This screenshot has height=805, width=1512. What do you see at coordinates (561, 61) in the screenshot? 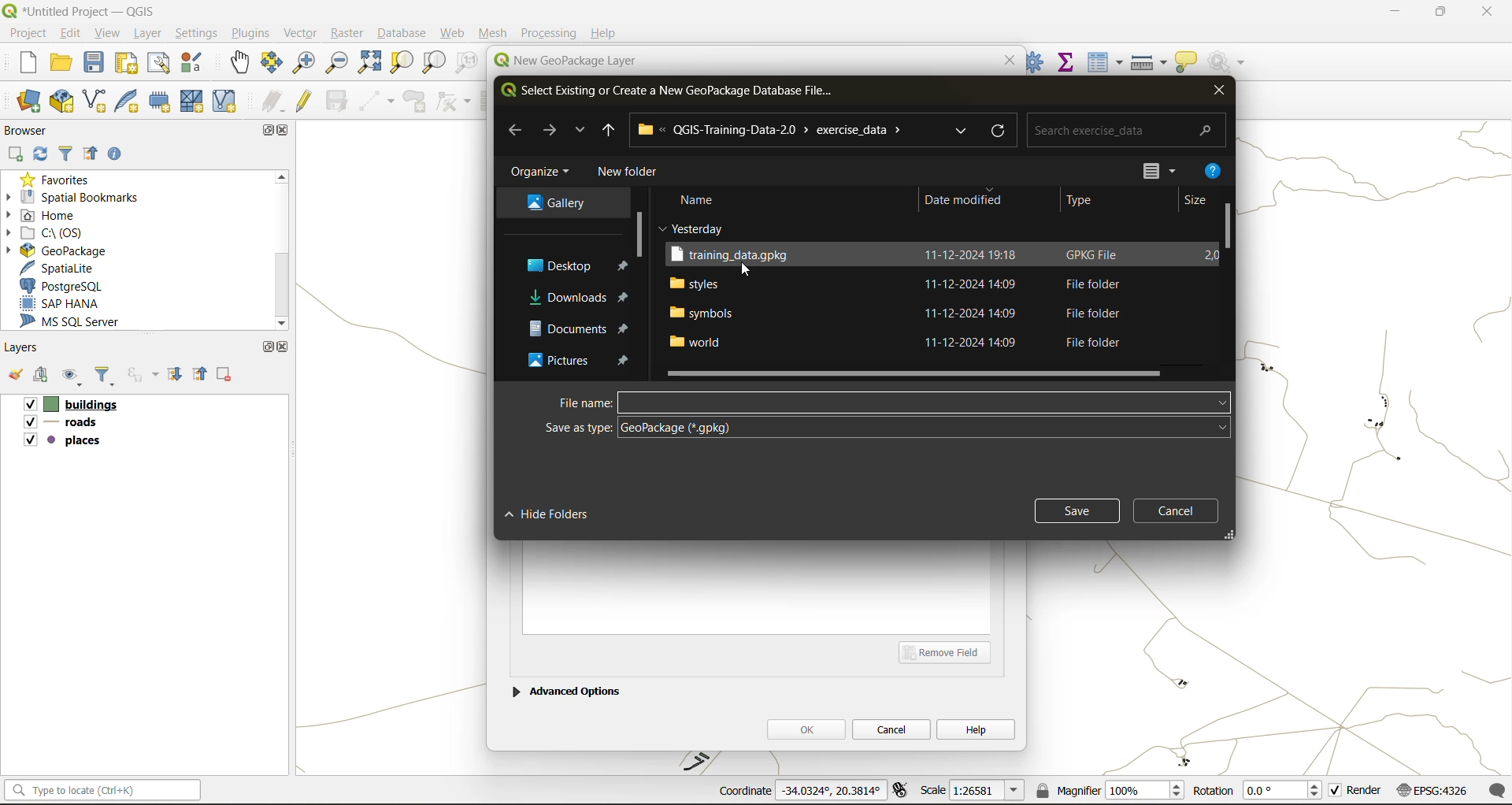
I see `New GeoPackage Layer` at bounding box center [561, 61].